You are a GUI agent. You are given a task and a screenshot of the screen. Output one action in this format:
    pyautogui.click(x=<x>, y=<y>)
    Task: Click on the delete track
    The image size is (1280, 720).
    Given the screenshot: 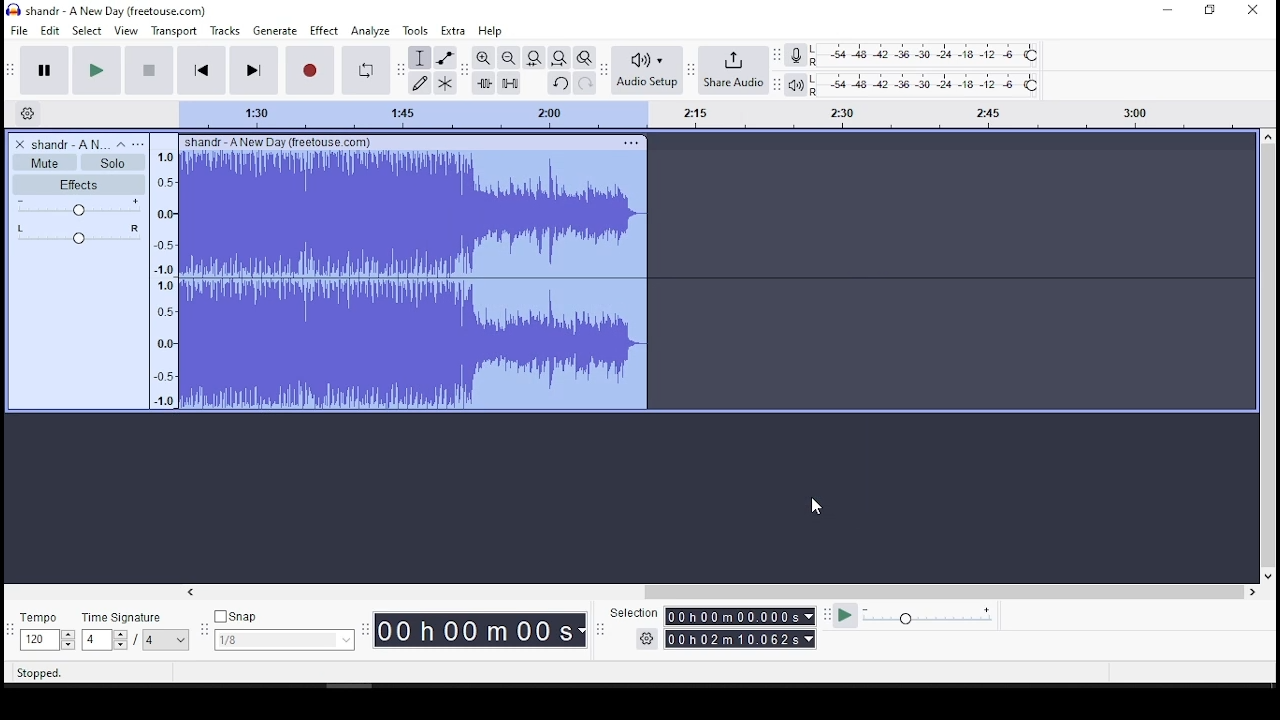 What is the action you would take?
    pyautogui.click(x=20, y=144)
    